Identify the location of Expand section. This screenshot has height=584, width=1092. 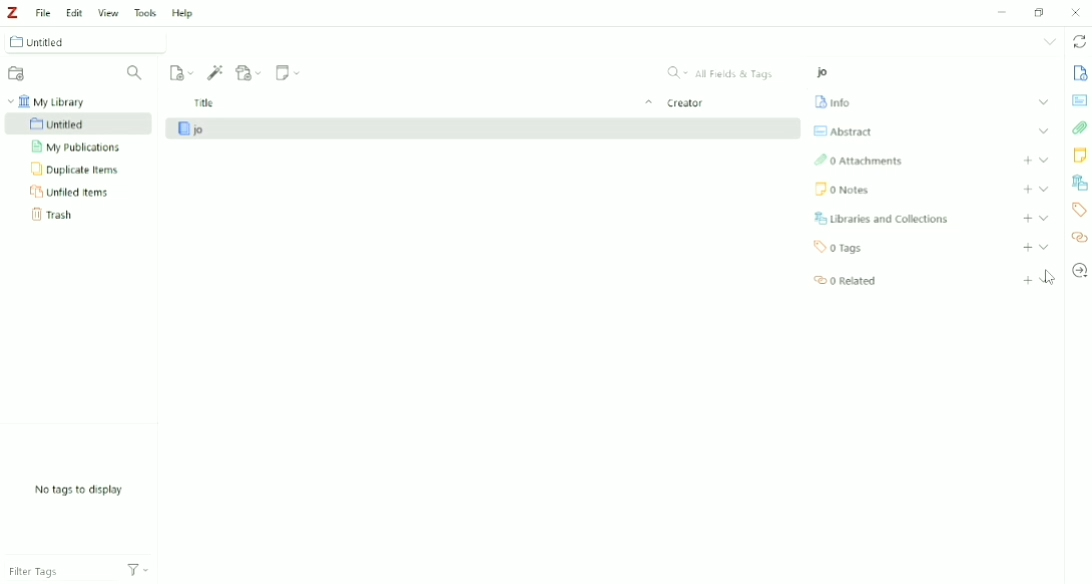
(1044, 189).